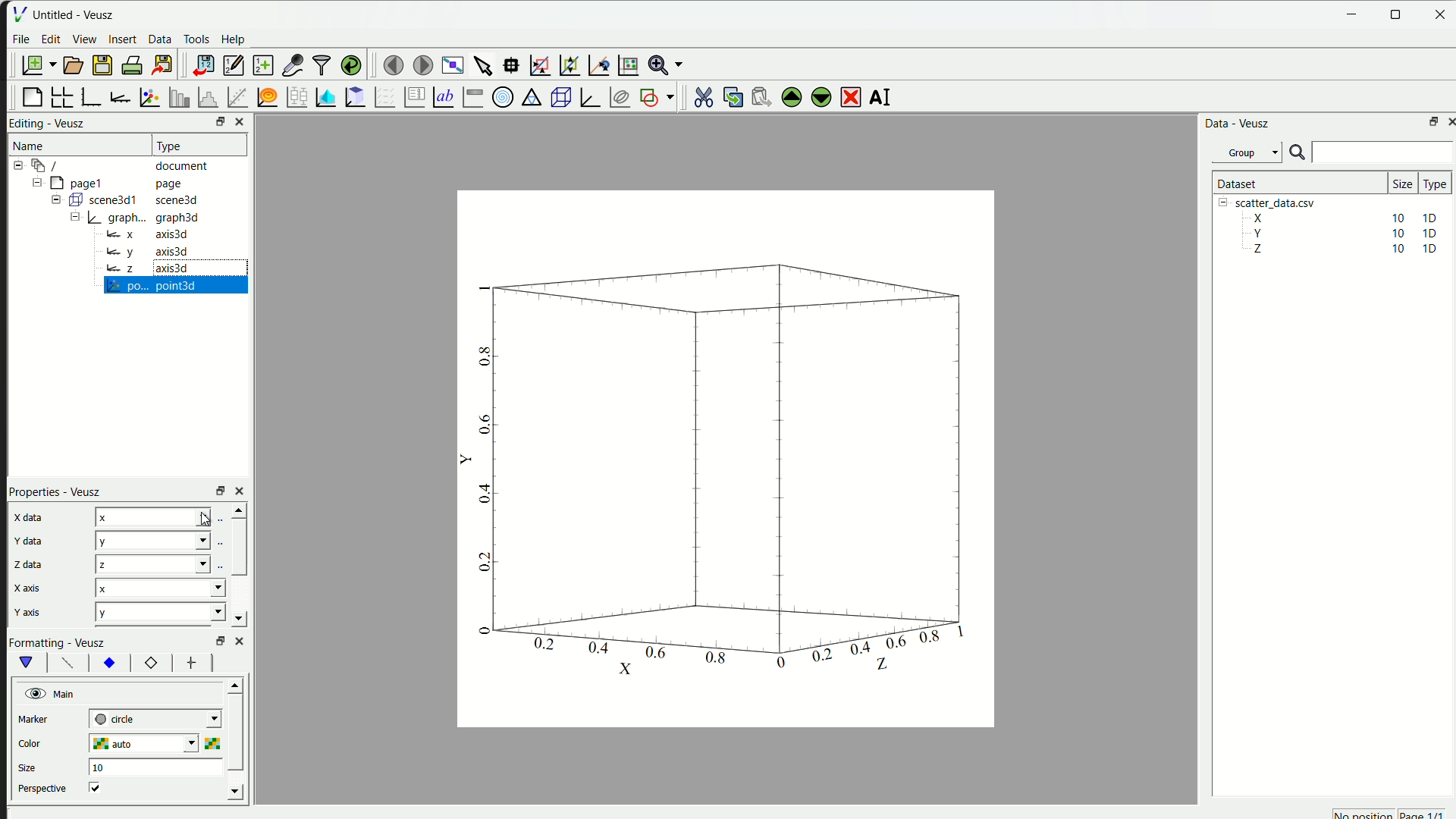 Image resolution: width=1456 pixels, height=819 pixels. What do you see at coordinates (323, 96) in the screenshot?
I see `plot dataset` at bounding box center [323, 96].